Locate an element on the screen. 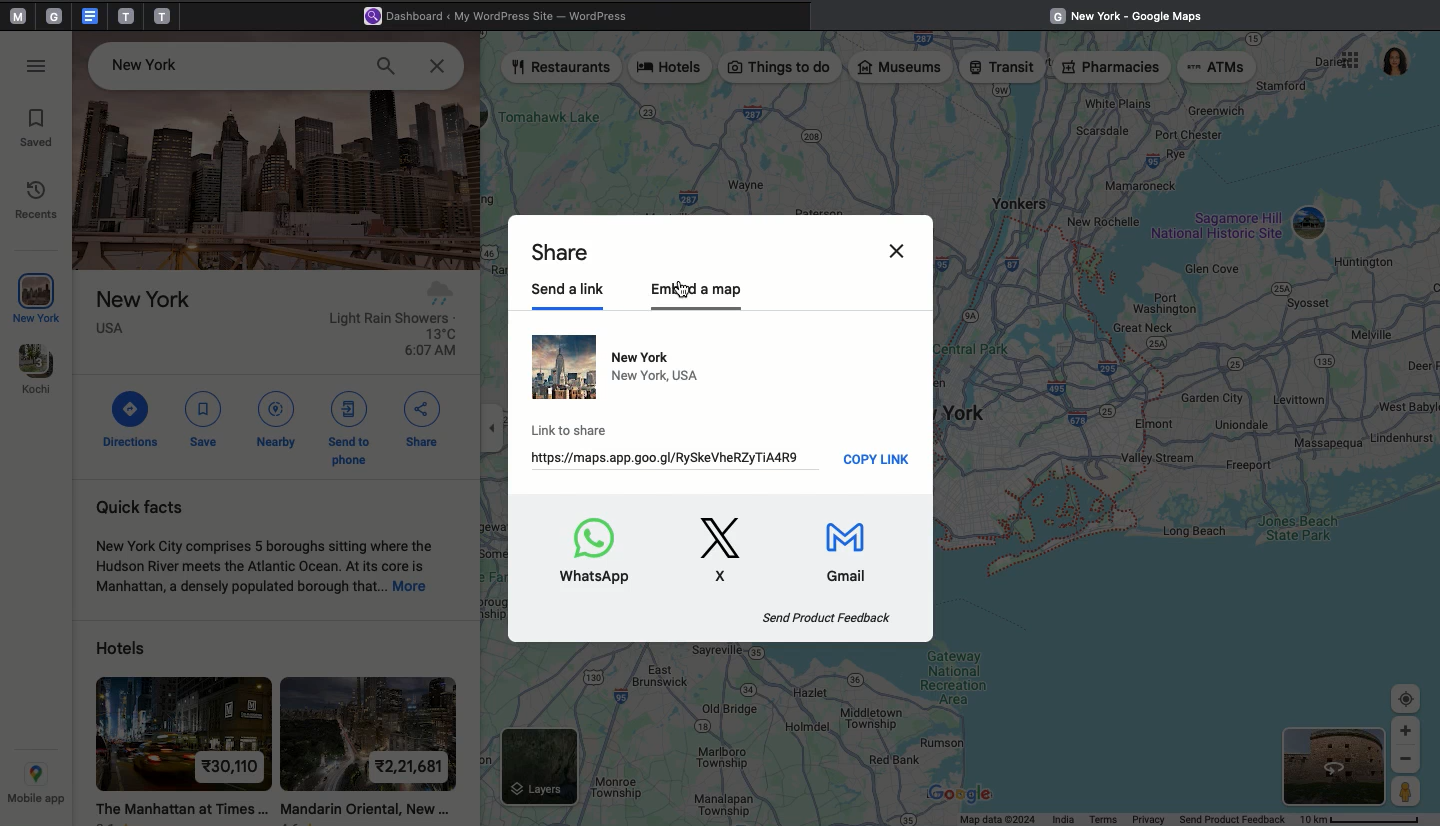 This screenshot has width=1440, height=826. Share is located at coordinates (423, 420).